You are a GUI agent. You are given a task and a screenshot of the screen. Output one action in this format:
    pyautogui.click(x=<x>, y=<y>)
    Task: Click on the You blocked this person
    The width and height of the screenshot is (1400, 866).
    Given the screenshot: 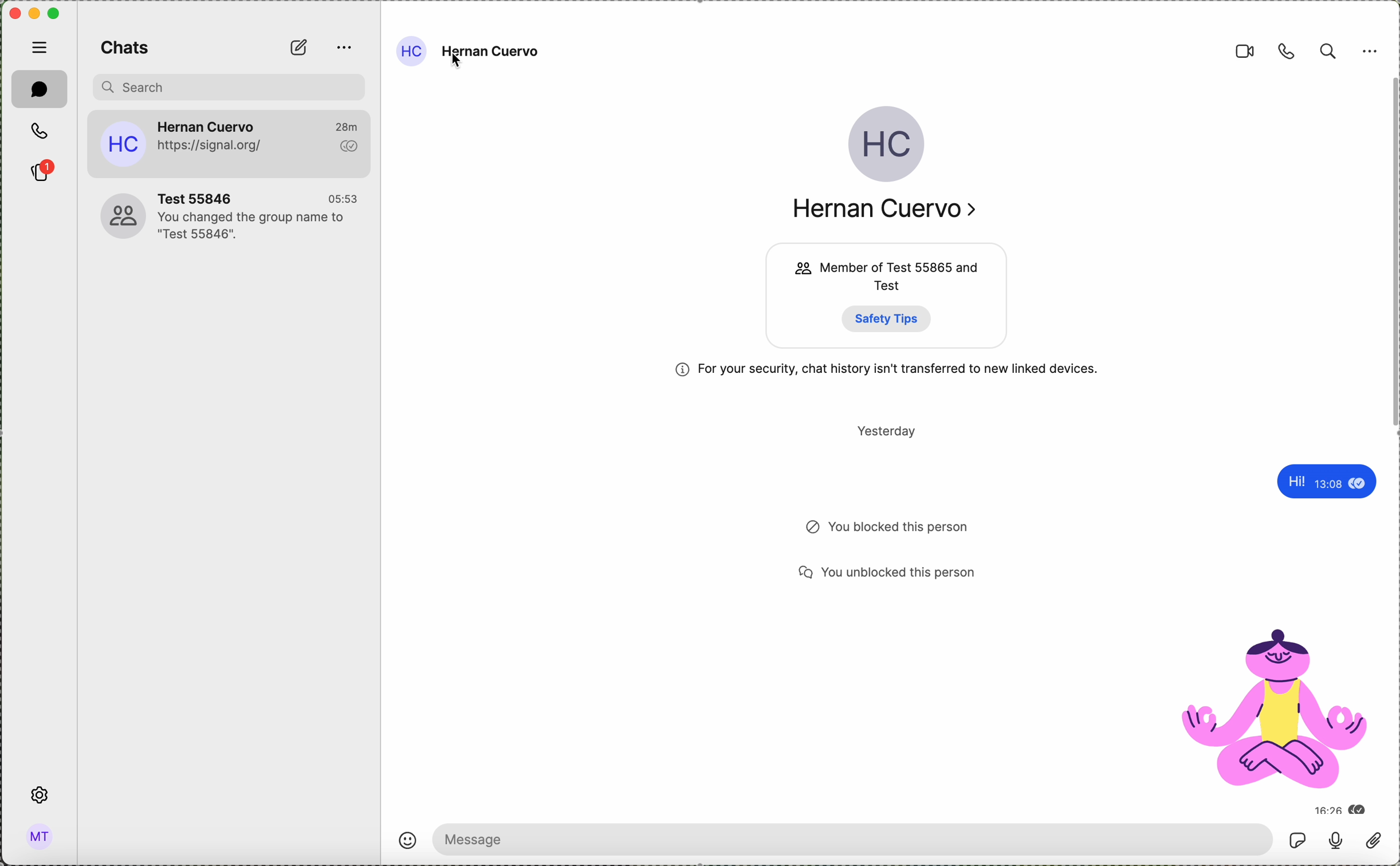 What is the action you would take?
    pyautogui.click(x=900, y=528)
    